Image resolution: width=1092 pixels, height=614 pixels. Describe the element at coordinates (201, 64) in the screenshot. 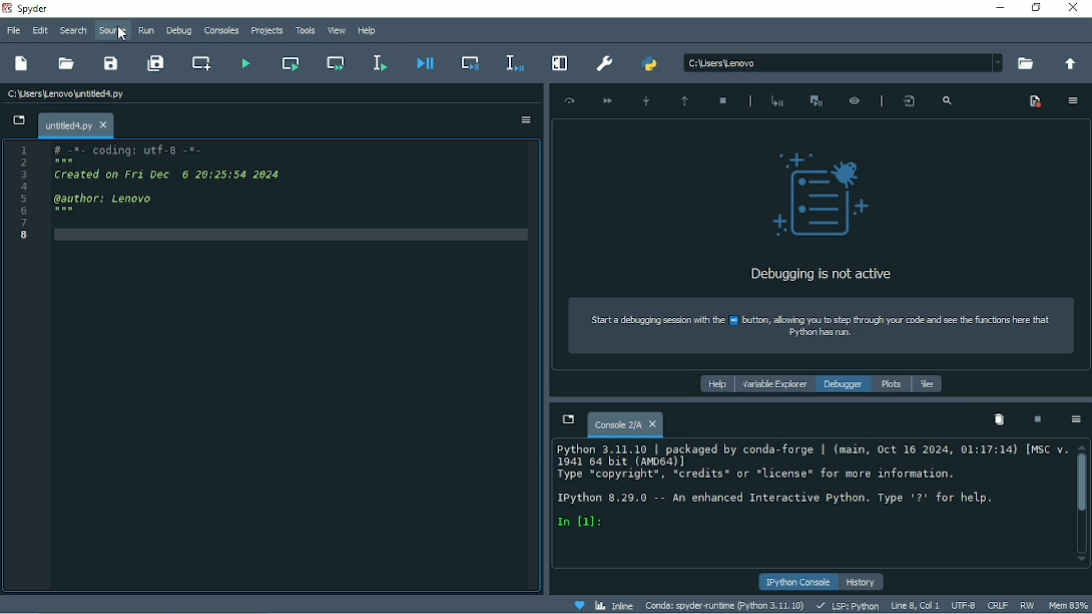

I see `Create new cell at the current line` at that location.